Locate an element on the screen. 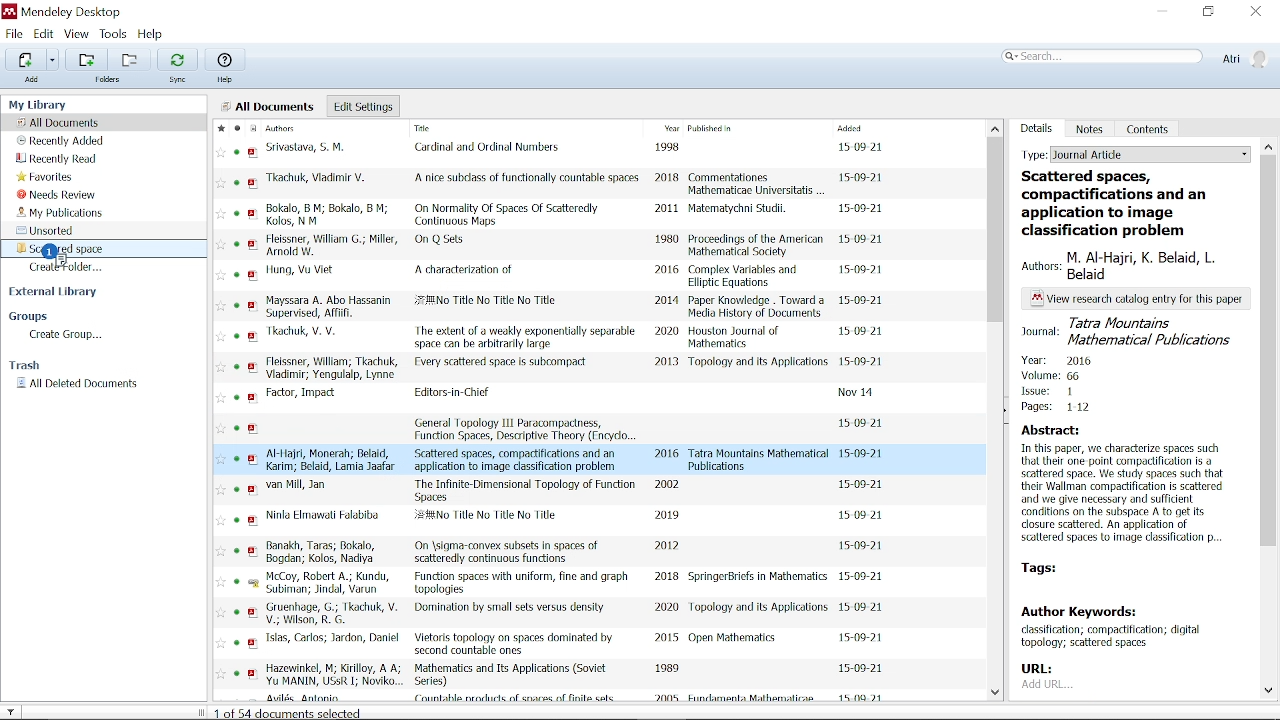  title is located at coordinates (492, 519).